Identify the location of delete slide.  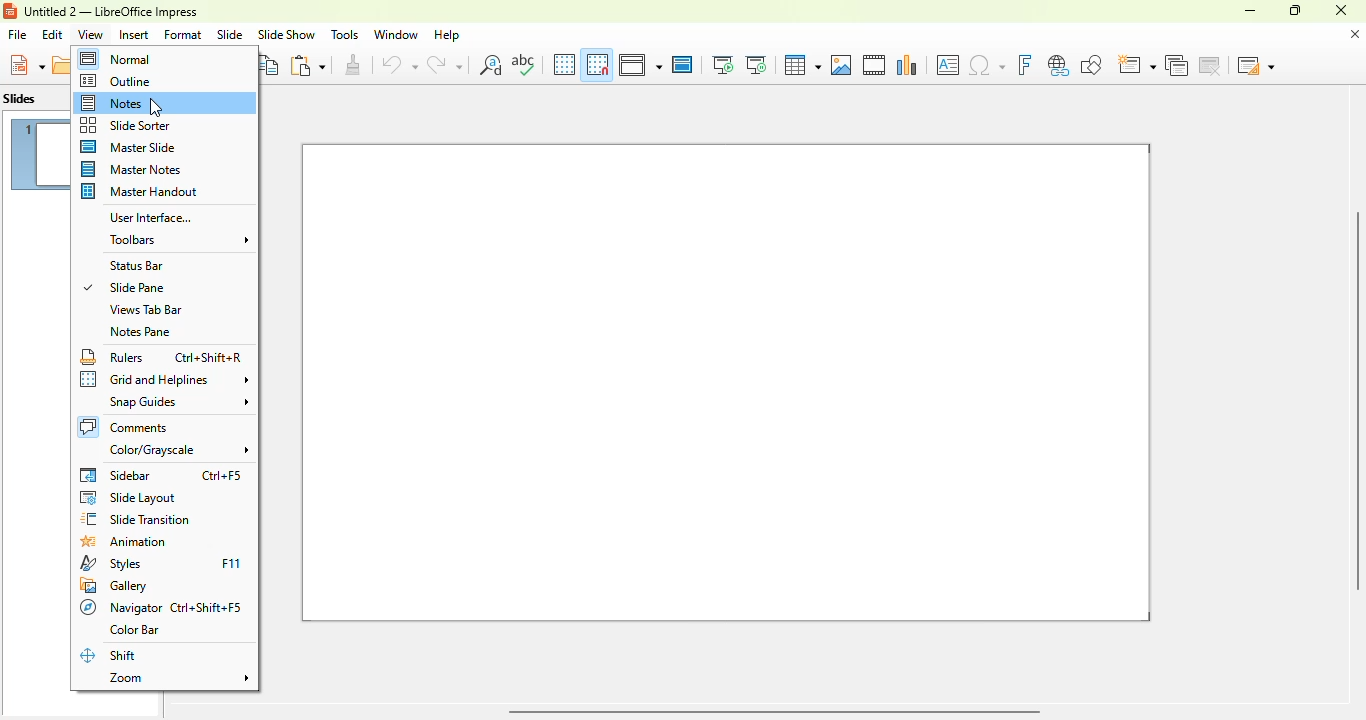
(1209, 64).